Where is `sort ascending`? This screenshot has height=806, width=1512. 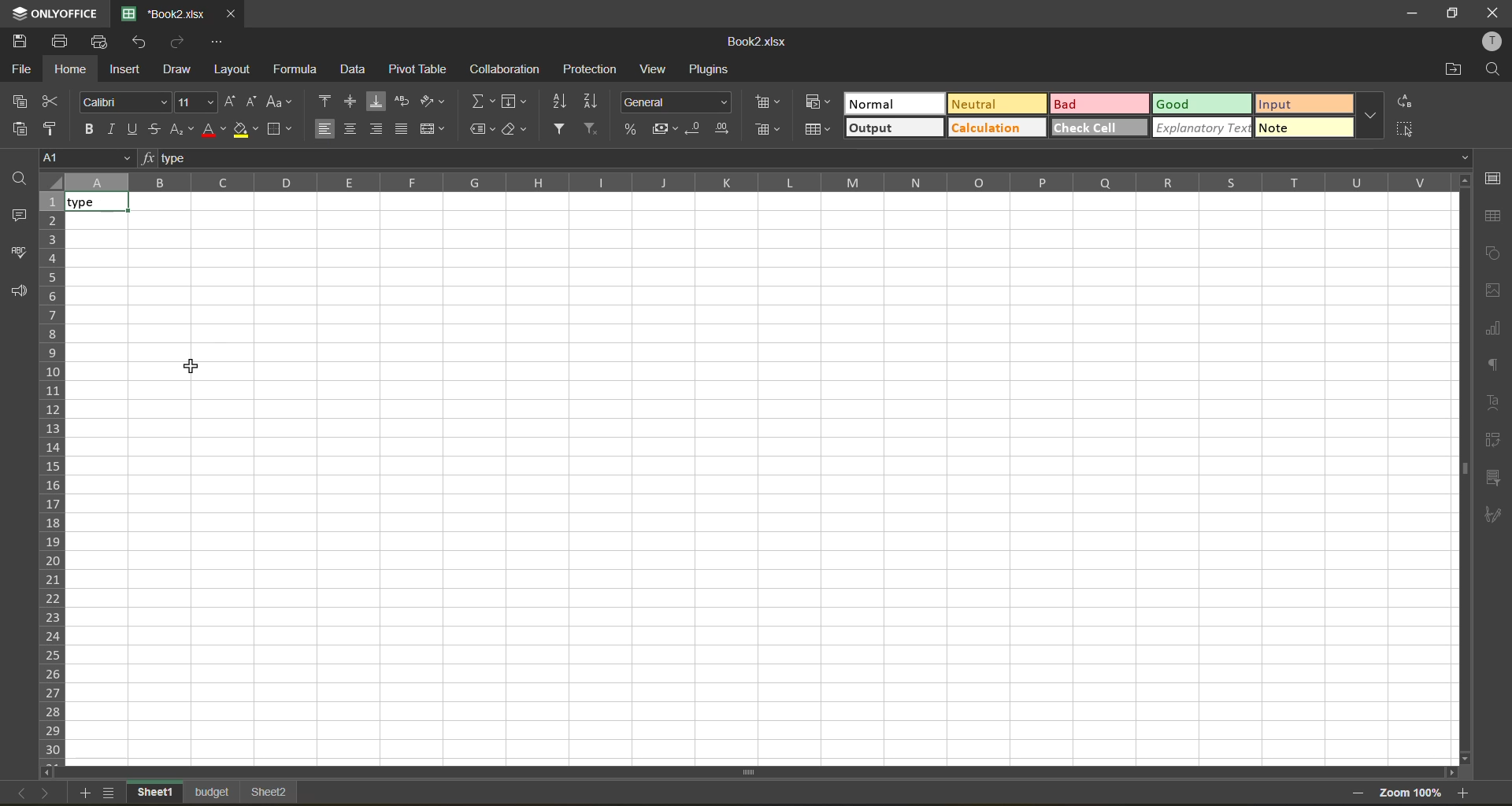
sort ascending is located at coordinates (561, 104).